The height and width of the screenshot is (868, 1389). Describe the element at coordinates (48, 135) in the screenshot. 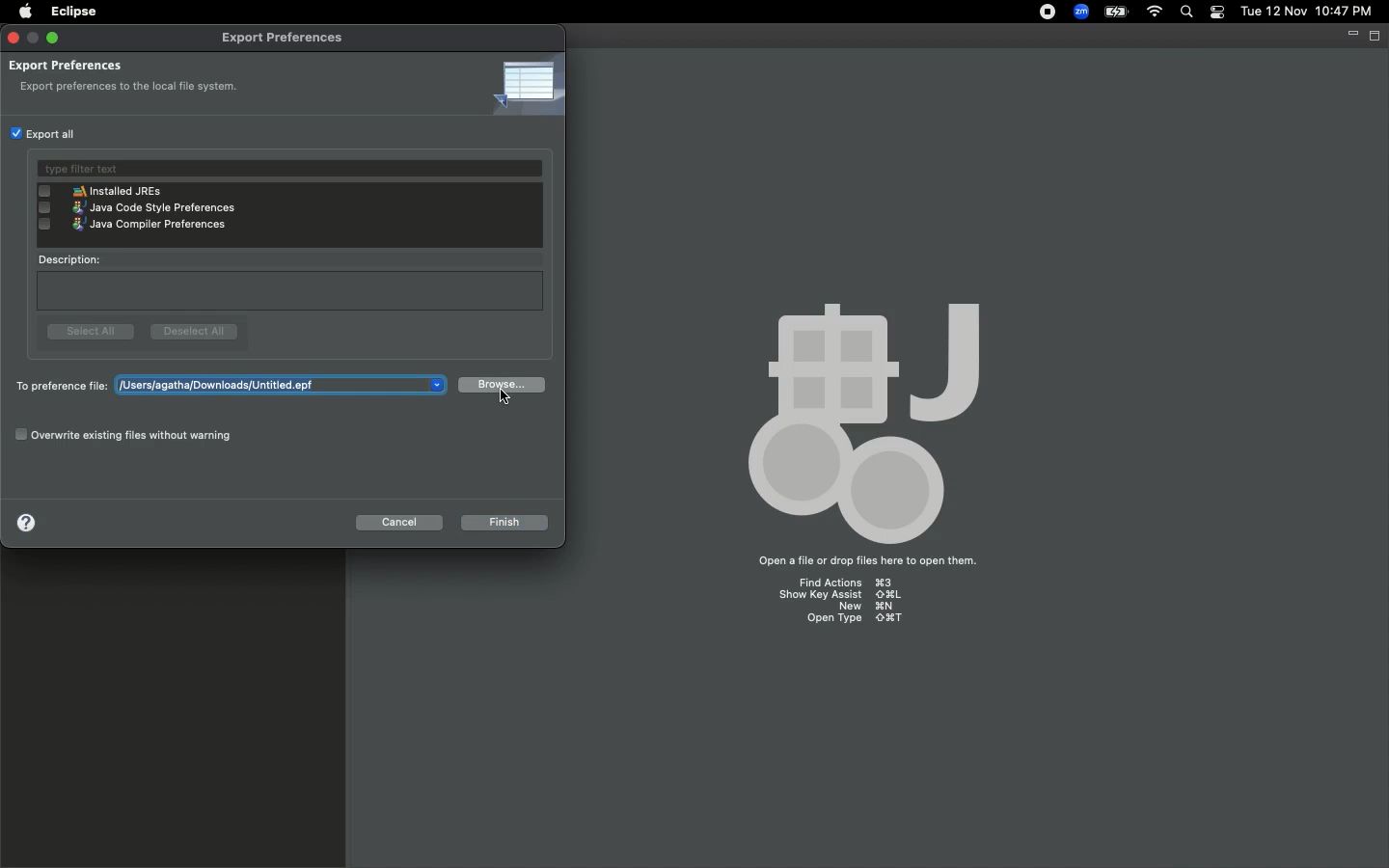

I see `Export all` at that location.